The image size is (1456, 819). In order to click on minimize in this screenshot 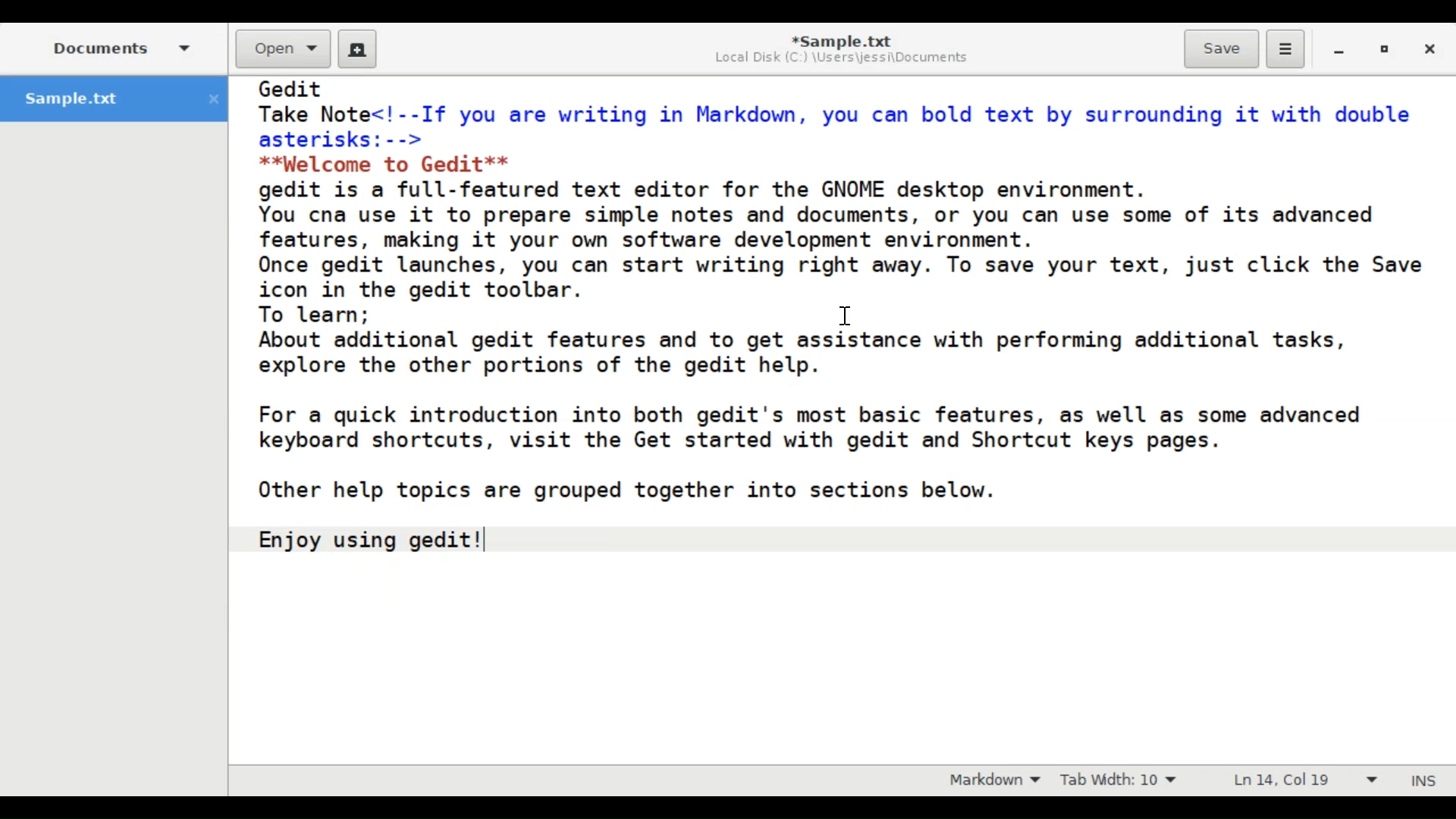, I will do `click(1339, 50)`.